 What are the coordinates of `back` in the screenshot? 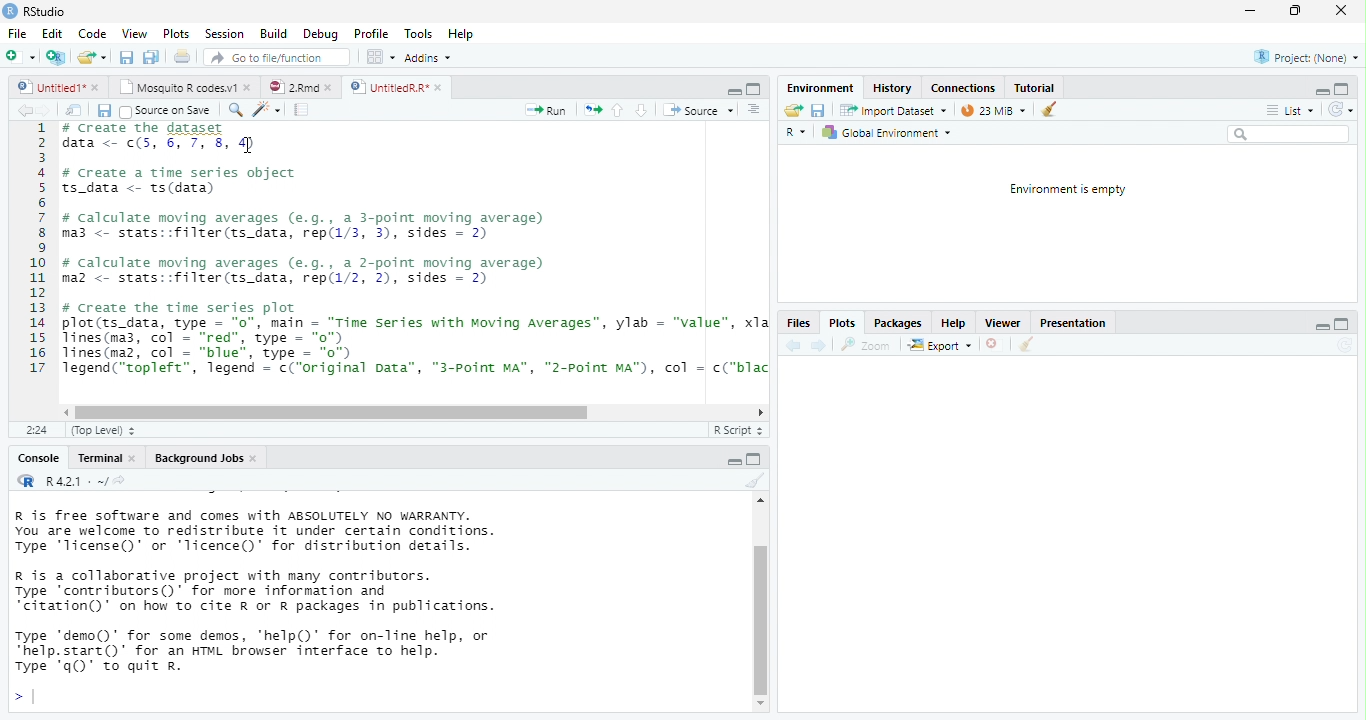 It's located at (24, 110).